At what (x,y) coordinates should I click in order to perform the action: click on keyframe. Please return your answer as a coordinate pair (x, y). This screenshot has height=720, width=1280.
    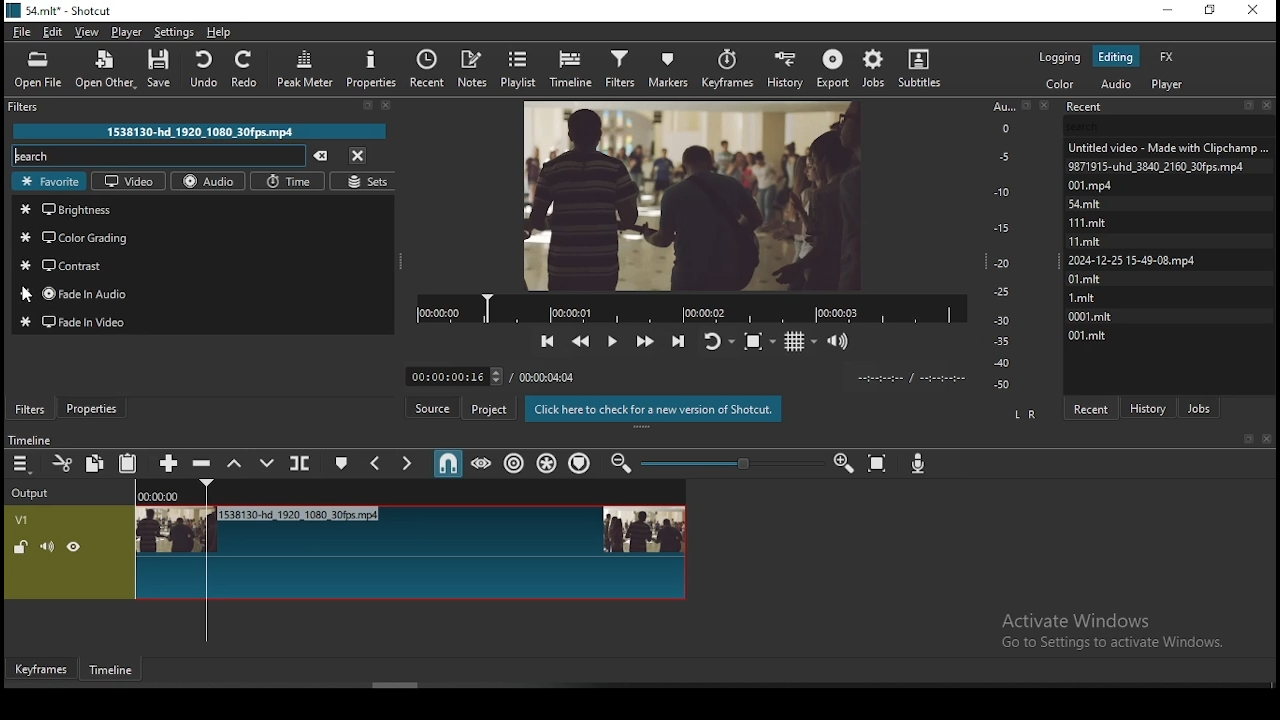
    Looking at the image, I should click on (42, 670).